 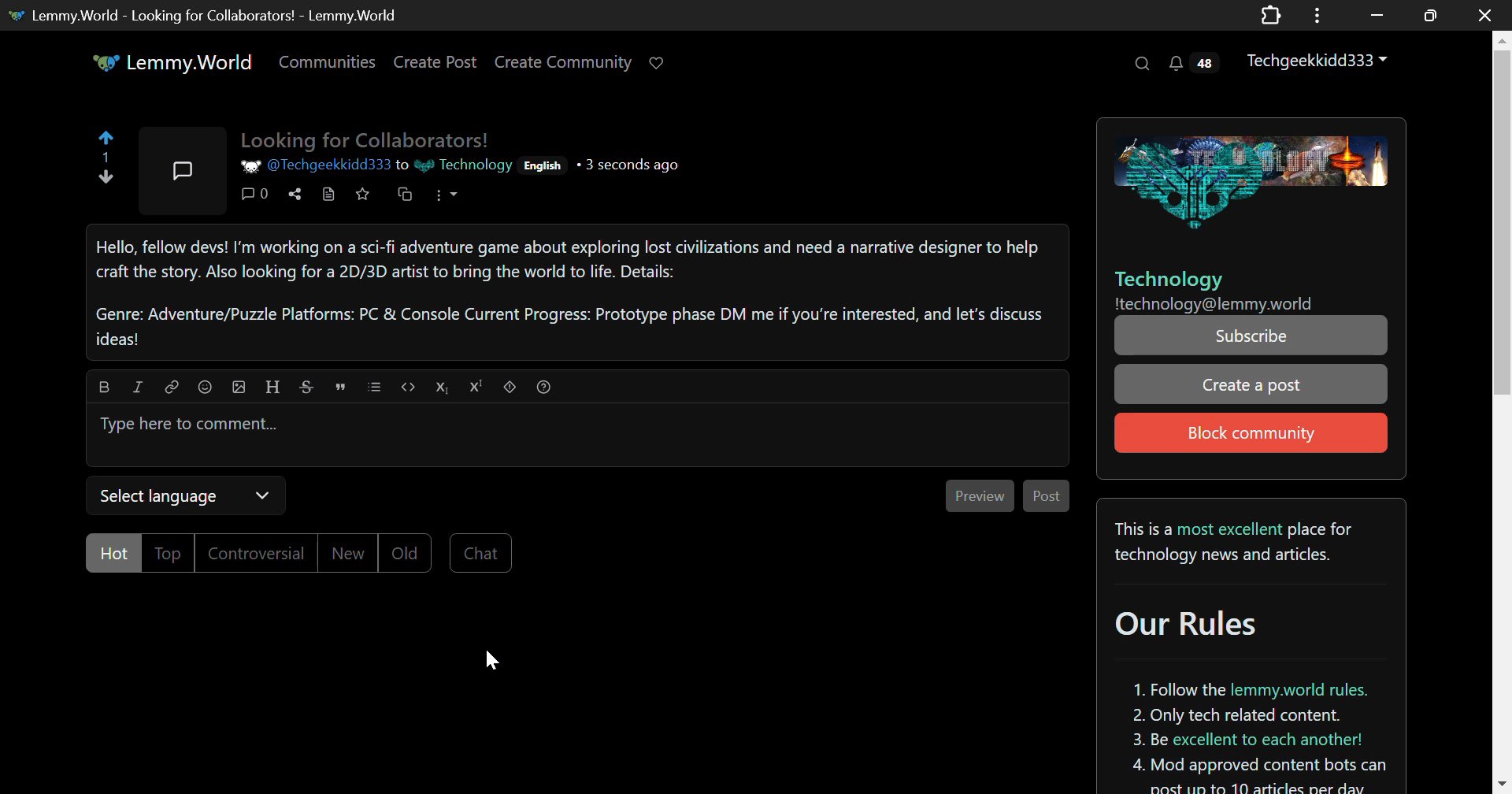 What do you see at coordinates (257, 196) in the screenshot?
I see `Comments Counter` at bounding box center [257, 196].